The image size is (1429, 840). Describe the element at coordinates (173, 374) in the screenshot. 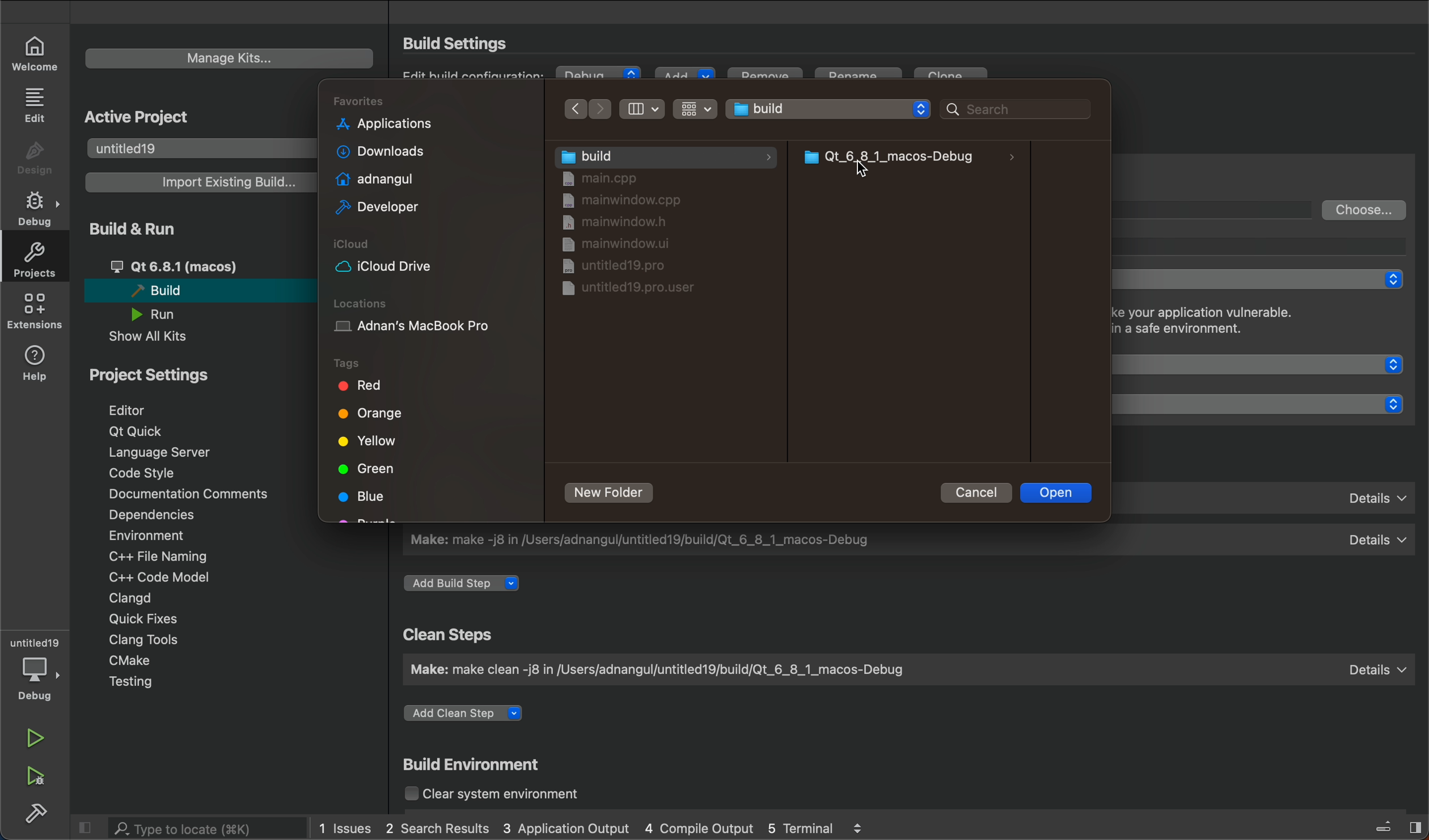

I see `project setting ` at that location.